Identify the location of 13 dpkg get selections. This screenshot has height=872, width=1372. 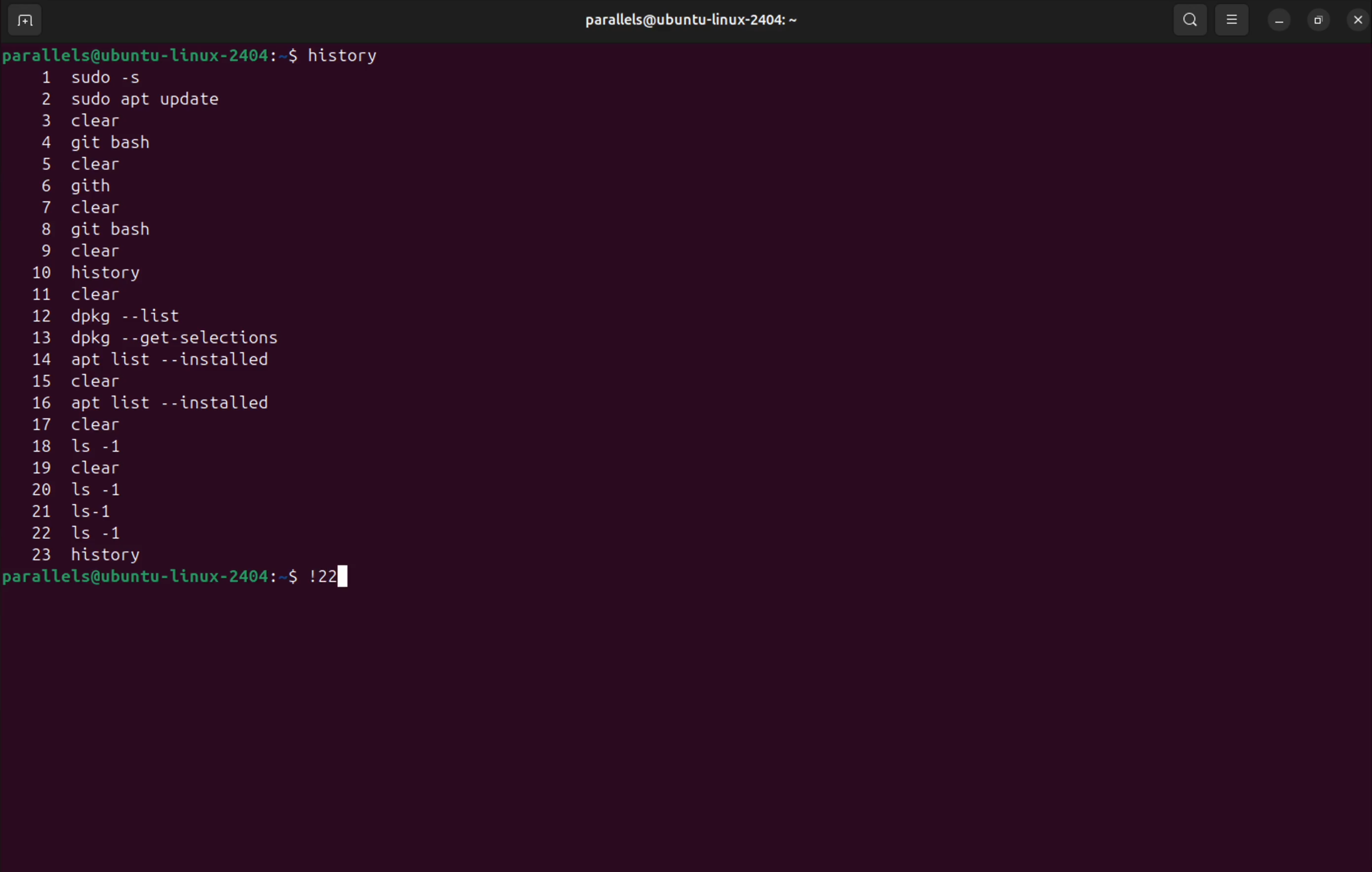
(179, 340).